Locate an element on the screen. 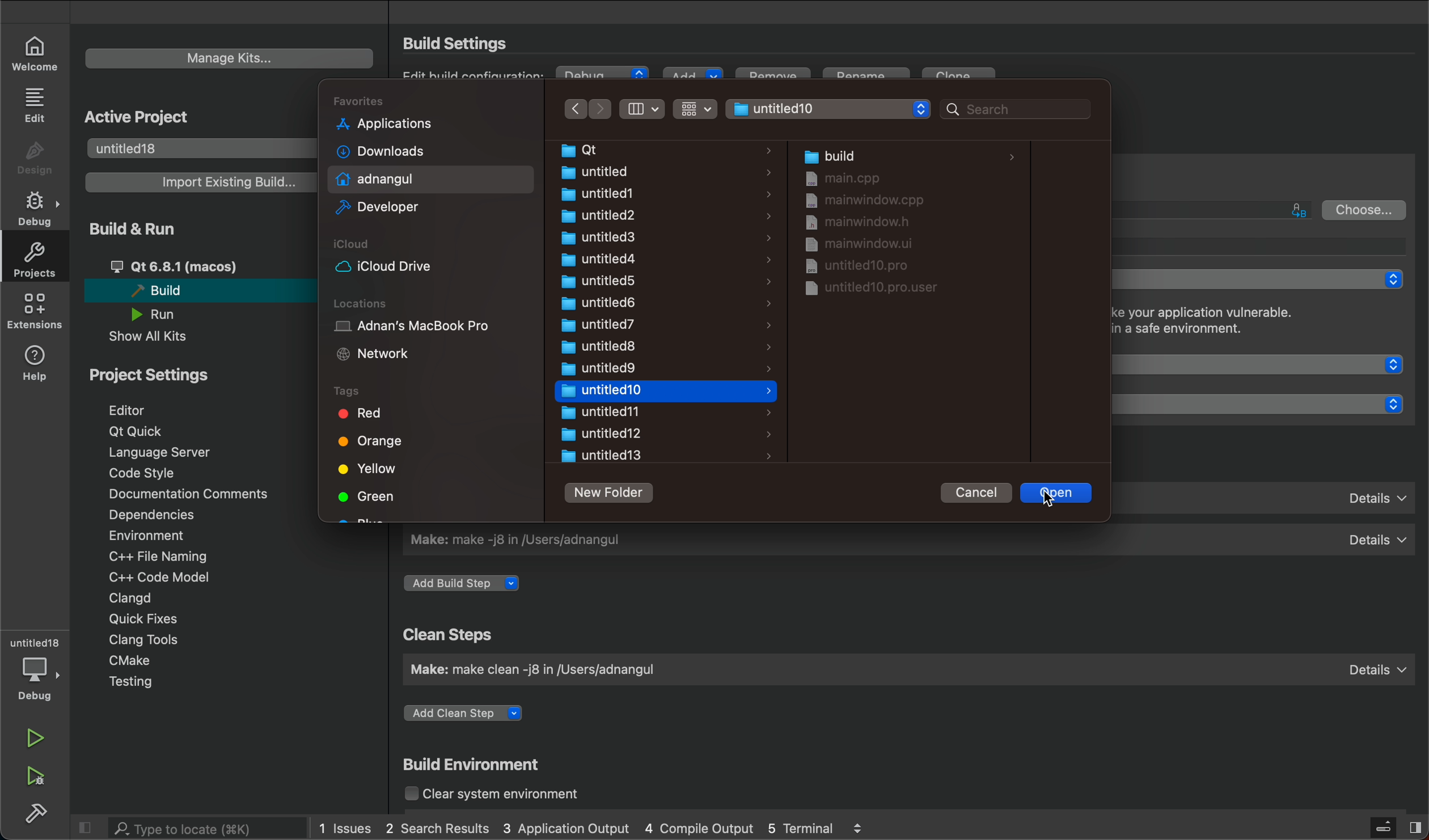  debug is located at coordinates (36, 679).